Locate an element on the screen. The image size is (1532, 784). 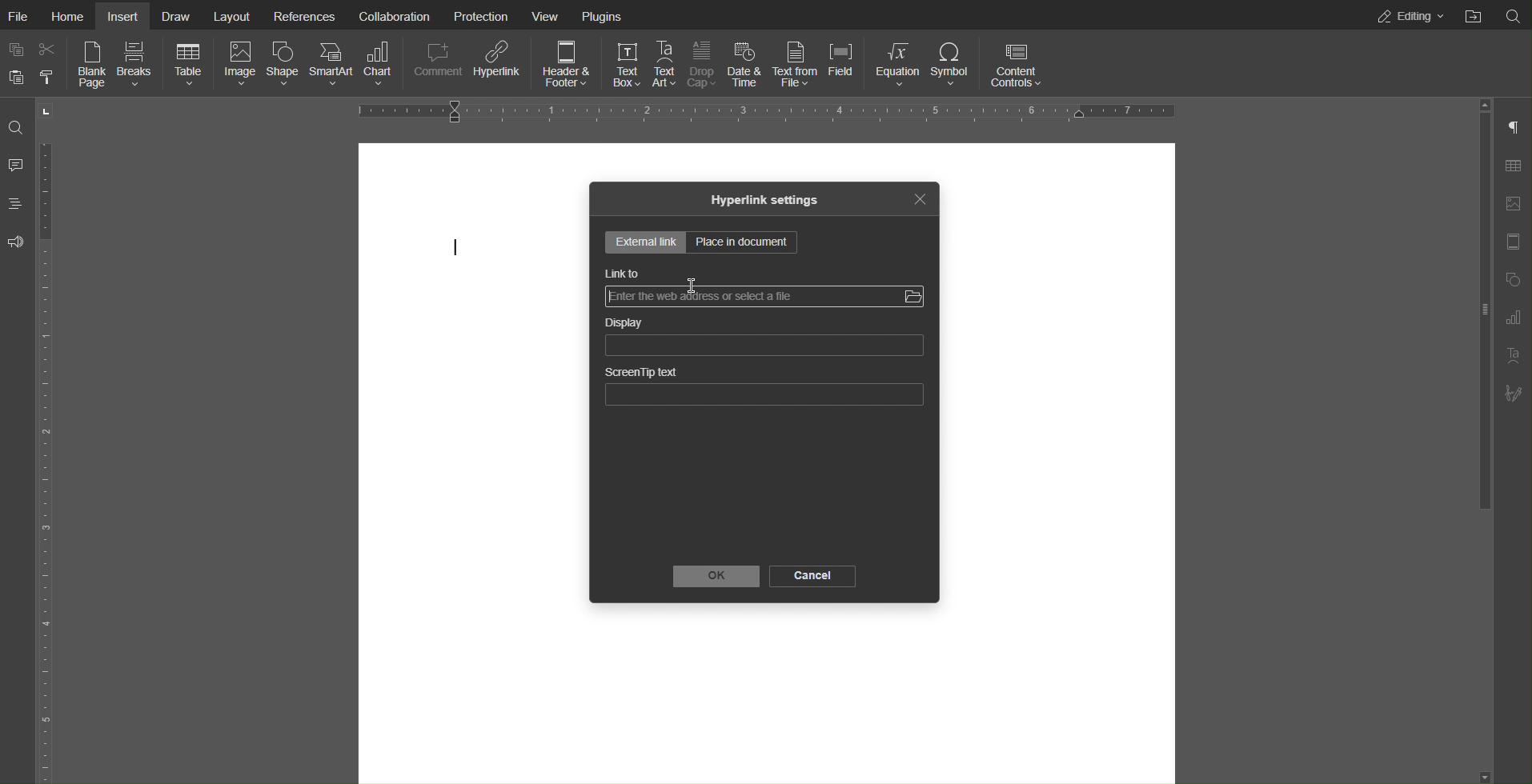
Date & Time is located at coordinates (747, 66).